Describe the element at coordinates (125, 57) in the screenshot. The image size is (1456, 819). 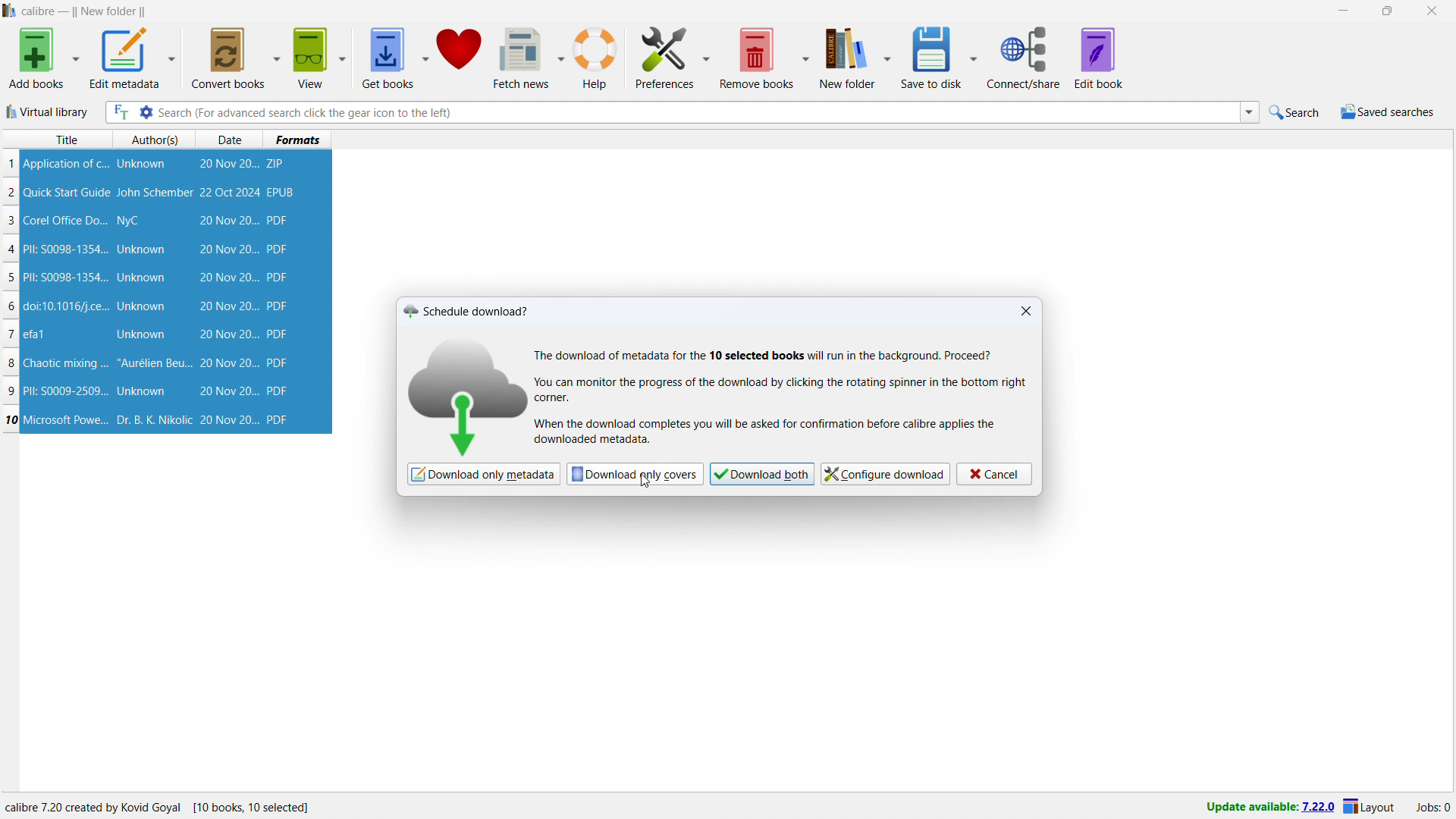
I see `edit metadata` at that location.